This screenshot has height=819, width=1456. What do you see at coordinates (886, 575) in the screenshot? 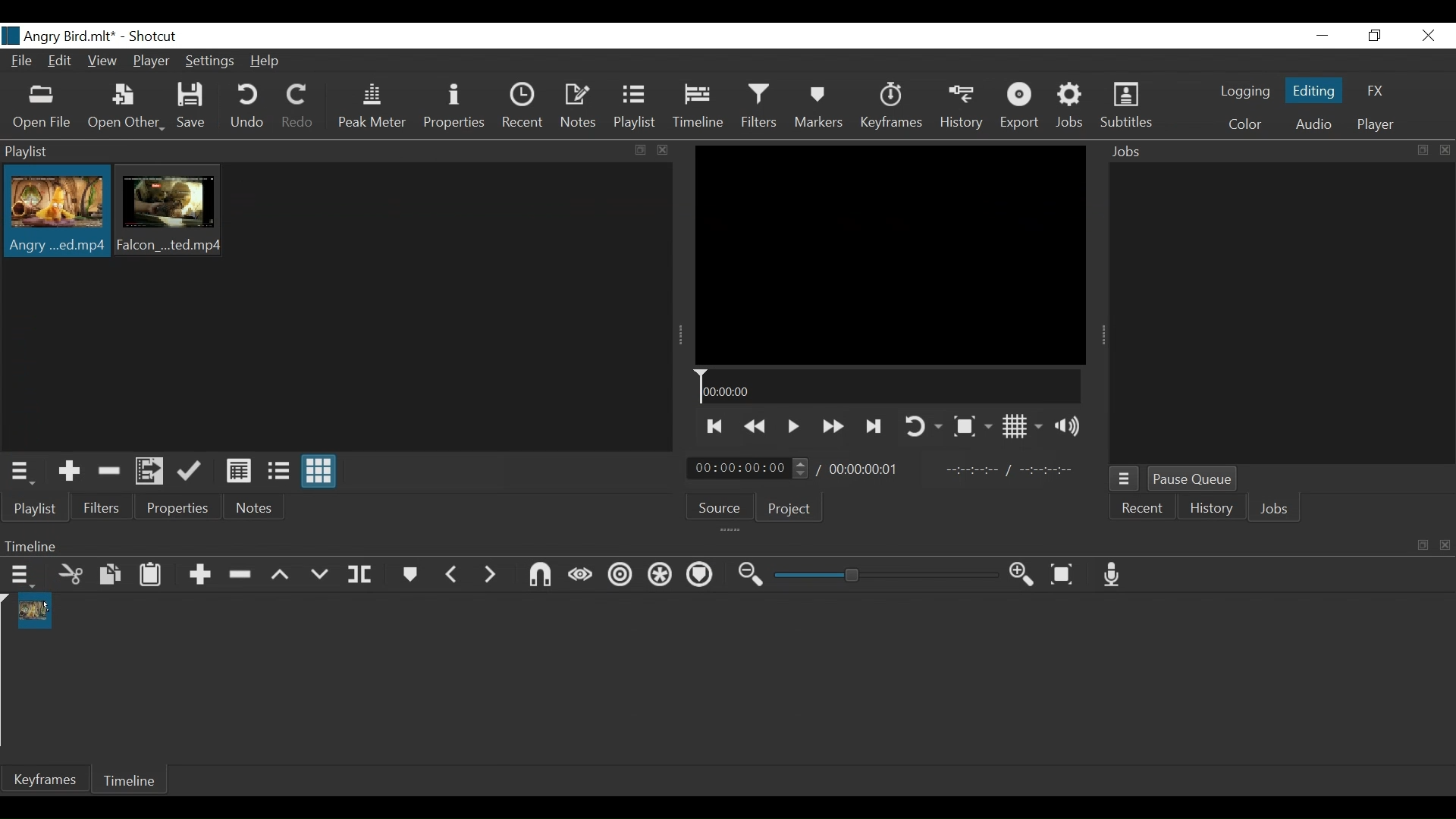
I see `Slider` at bounding box center [886, 575].